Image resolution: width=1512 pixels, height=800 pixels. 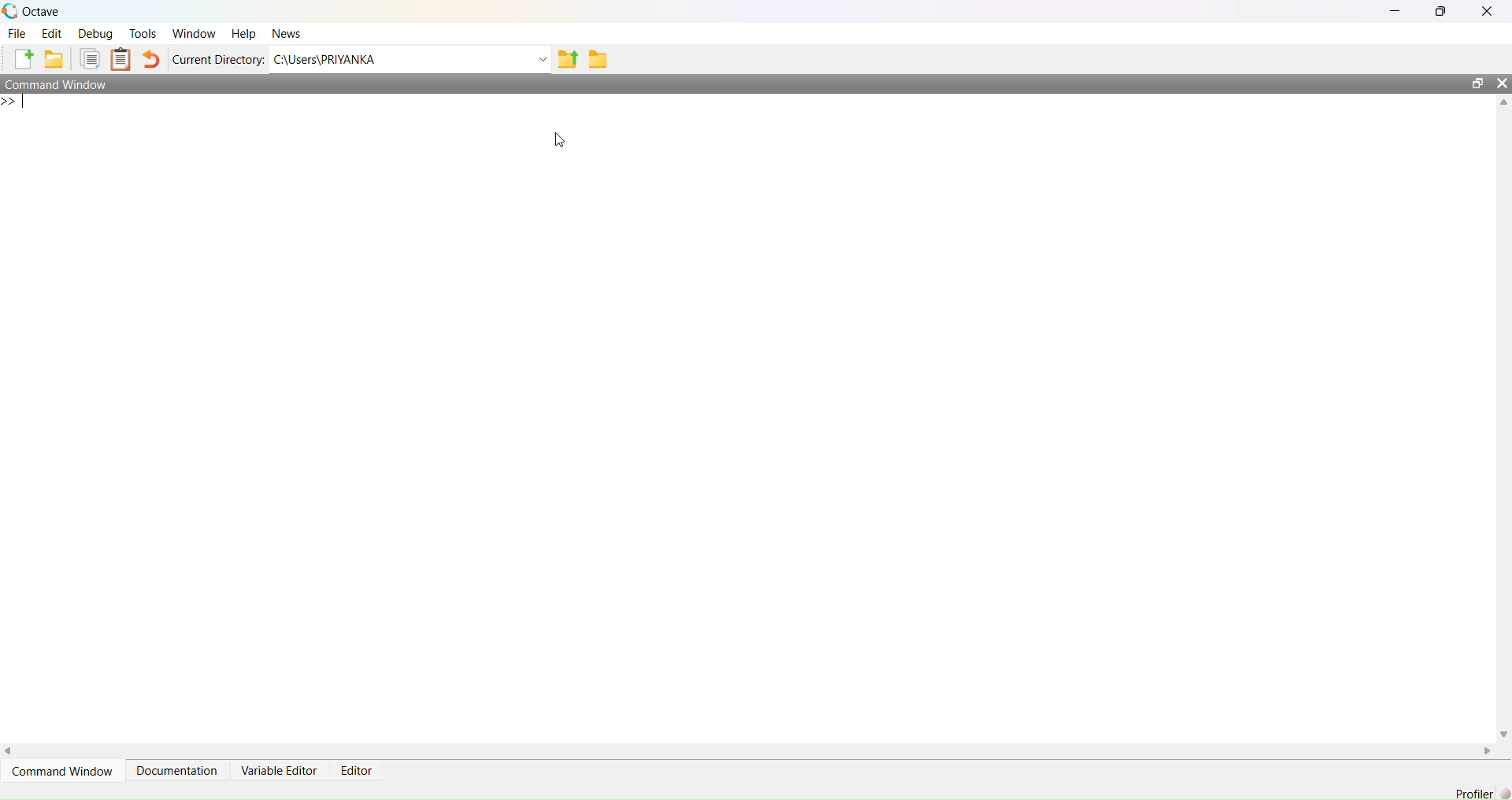 What do you see at coordinates (15, 101) in the screenshot?
I see `New line` at bounding box center [15, 101].